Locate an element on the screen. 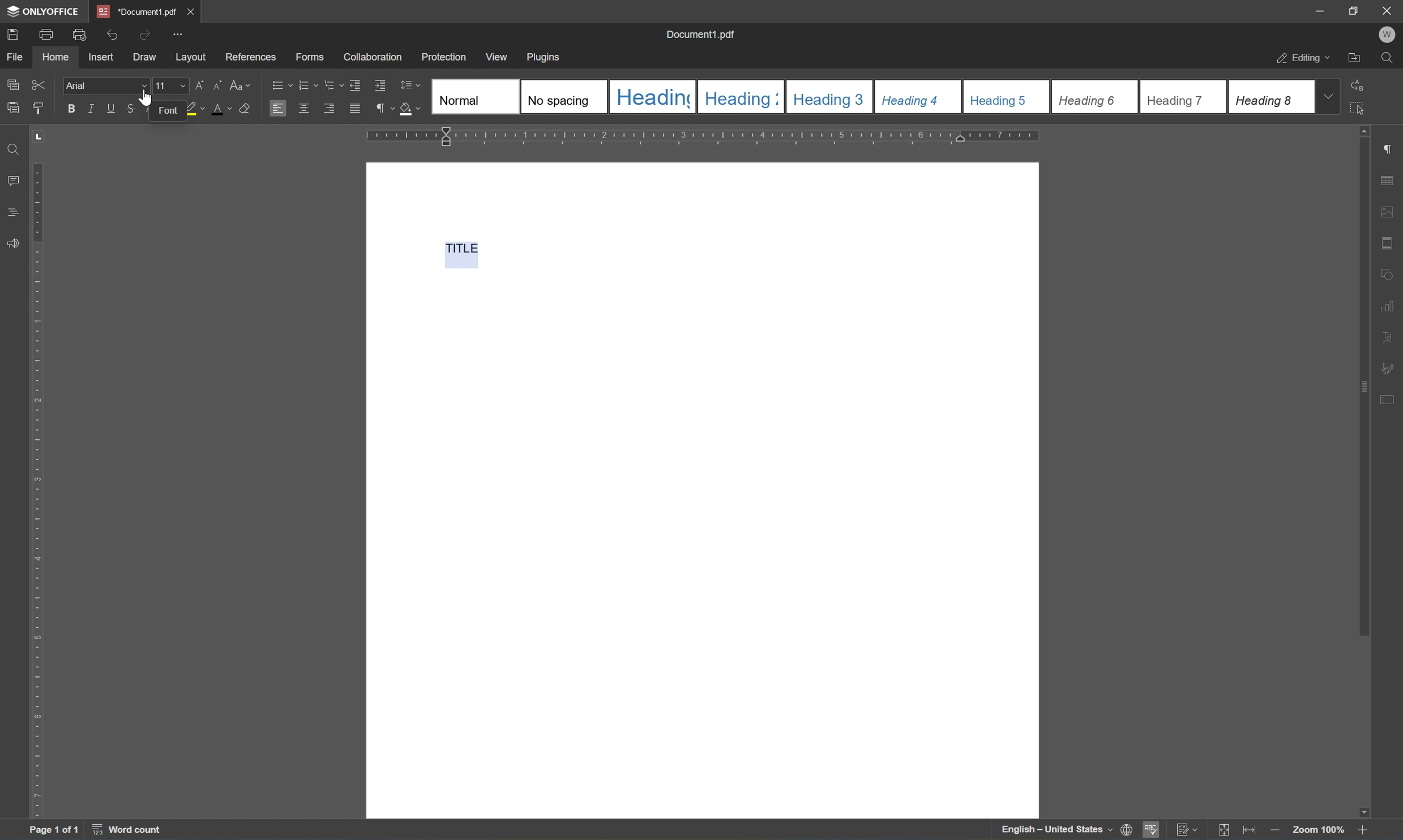 The height and width of the screenshot is (840, 1403). font is located at coordinates (168, 110).